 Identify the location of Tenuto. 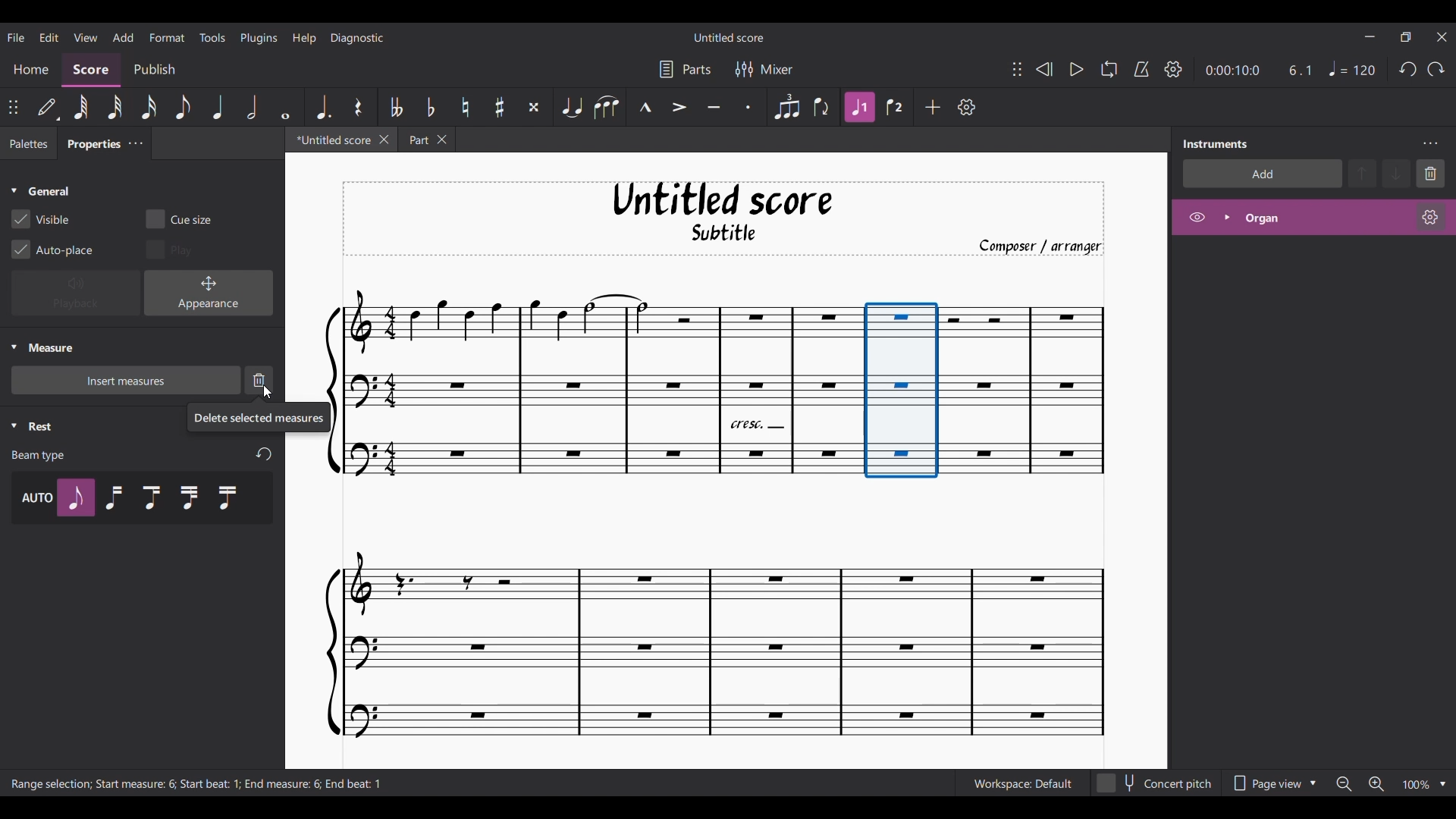
(715, 107).